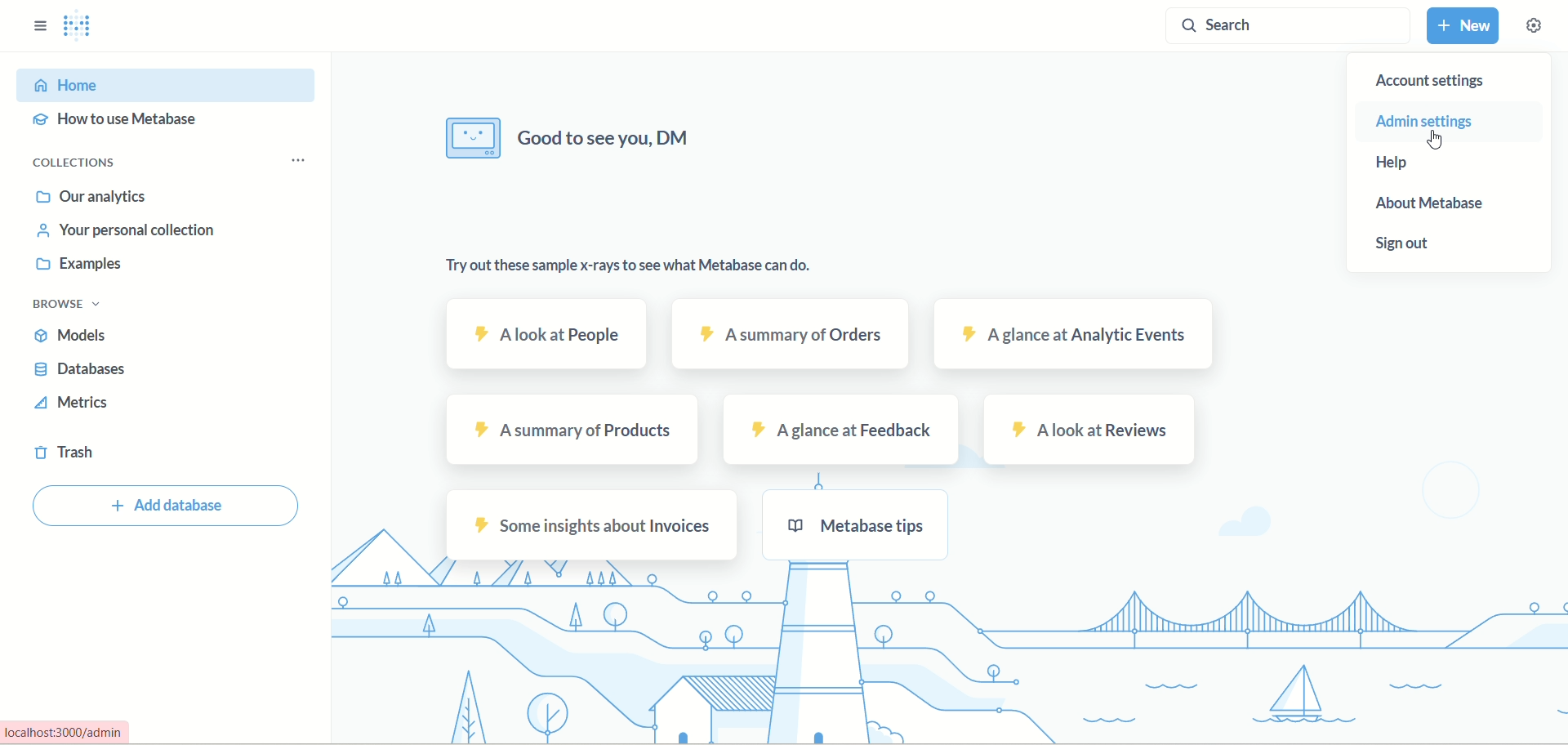  What do you see at coordinates (863, 528) in the screenshot?
I see `metabase tips` at bounding box center [863, 528].